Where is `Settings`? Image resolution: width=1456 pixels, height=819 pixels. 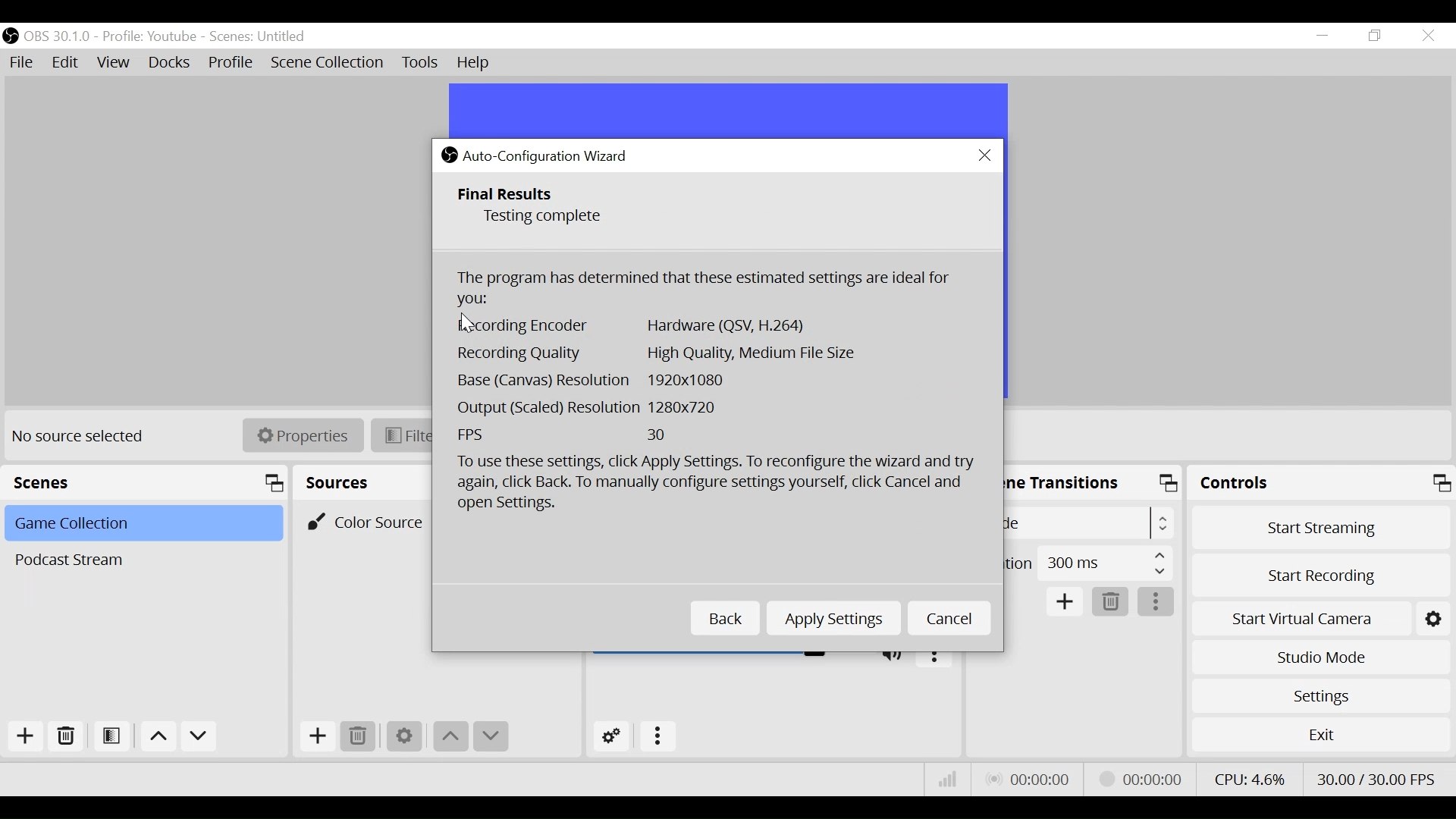 Settings is located at coordinates (404, 738).